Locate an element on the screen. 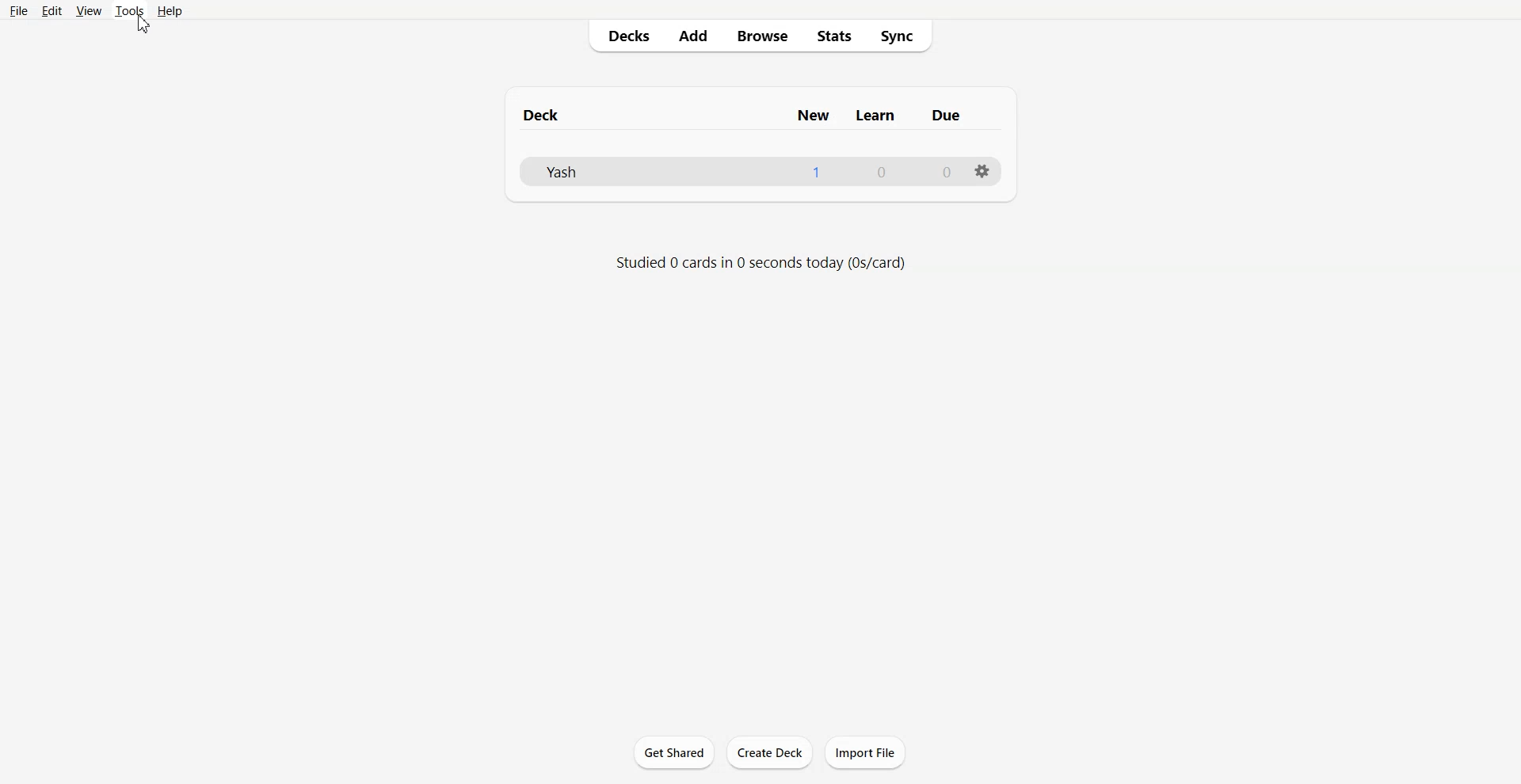 Image resolution: width=1521 pixels, height=784 pixels. new is located at coordinates (815, 114).